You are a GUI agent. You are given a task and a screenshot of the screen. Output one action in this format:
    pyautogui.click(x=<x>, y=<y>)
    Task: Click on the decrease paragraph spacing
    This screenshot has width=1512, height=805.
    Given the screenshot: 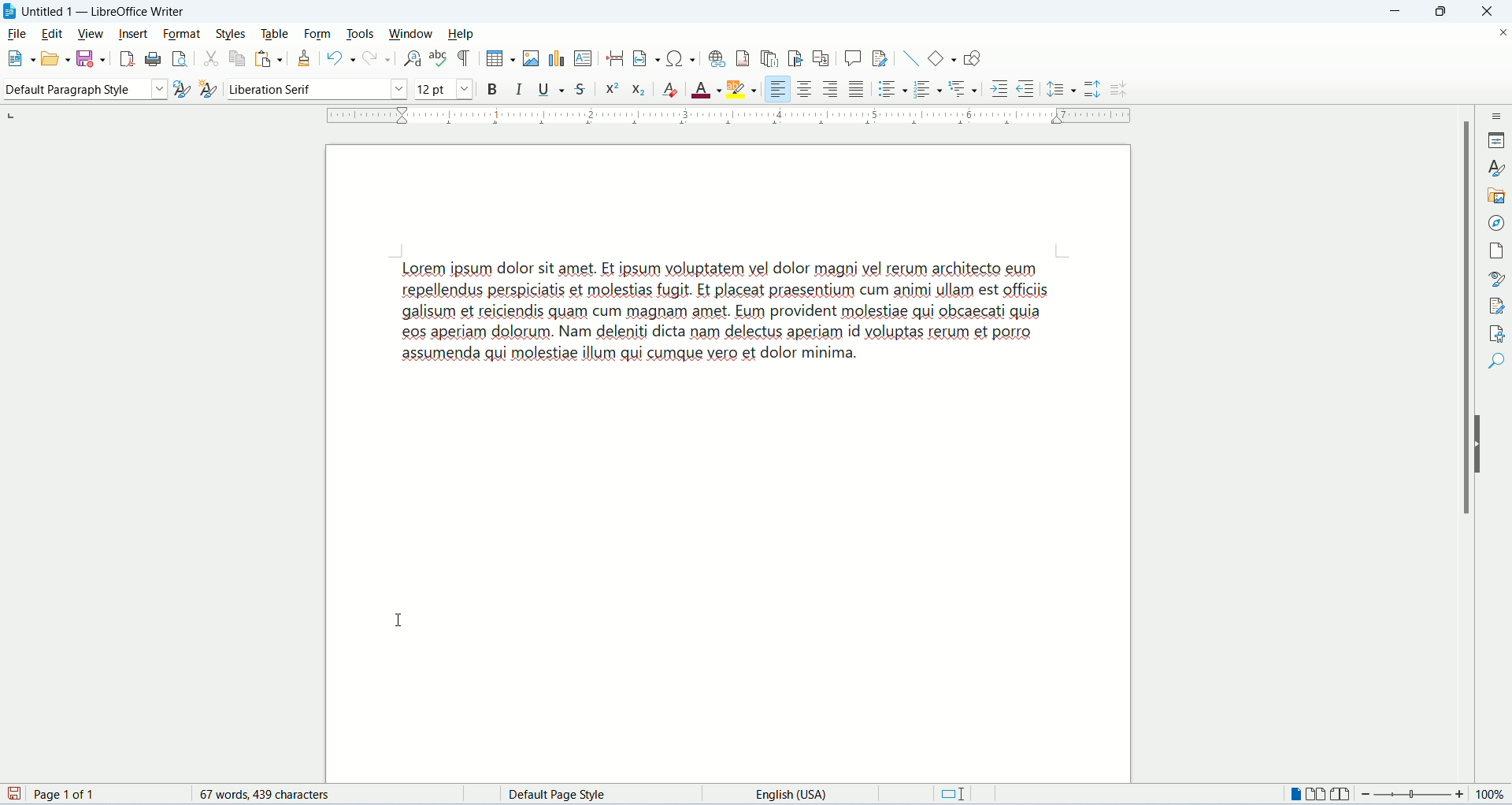 What is the action you would take?
    pyautogui.click(x=1121, y=88)
    